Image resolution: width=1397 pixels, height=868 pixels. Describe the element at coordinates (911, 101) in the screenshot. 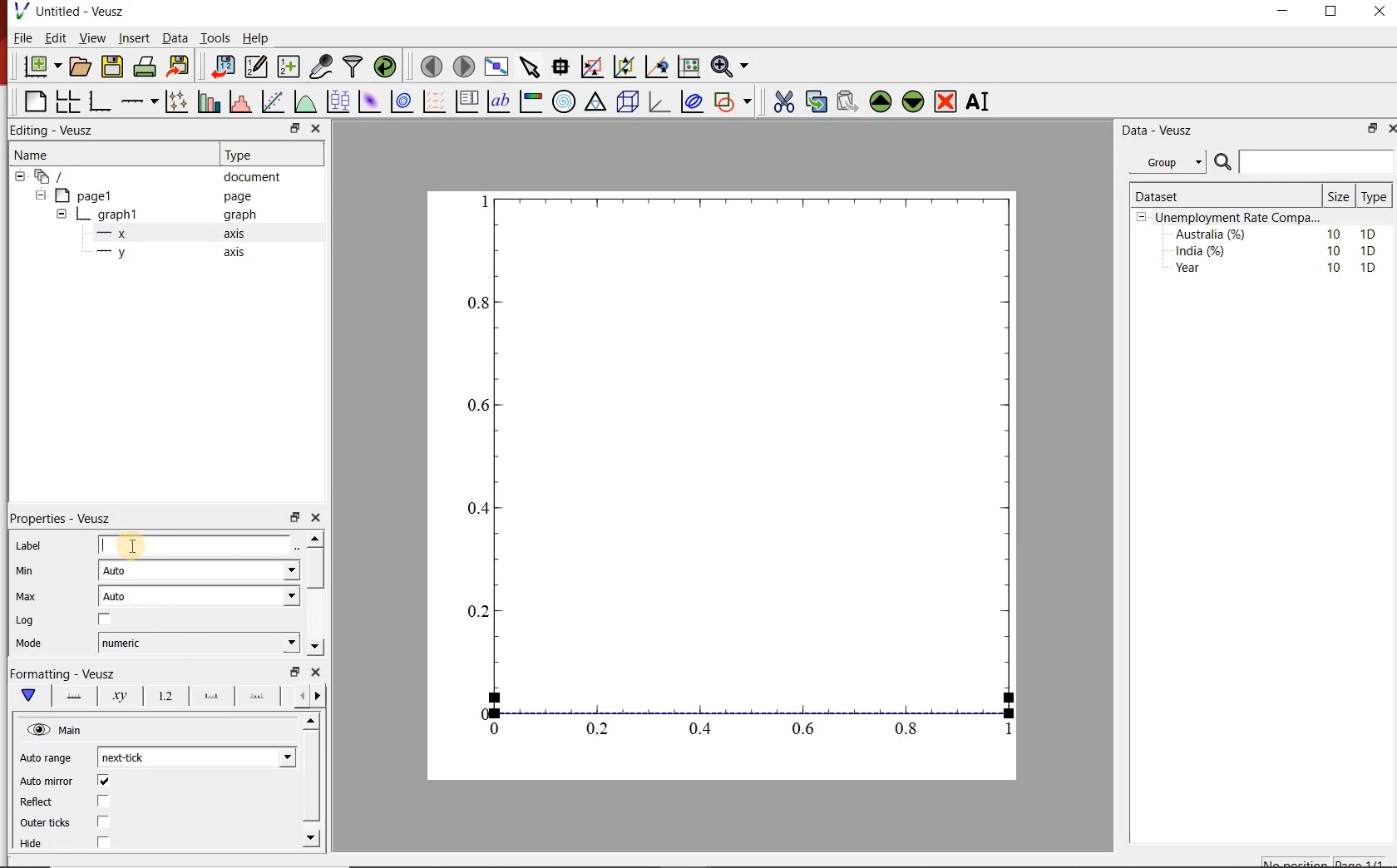

I see `move the widgets down` at that location.